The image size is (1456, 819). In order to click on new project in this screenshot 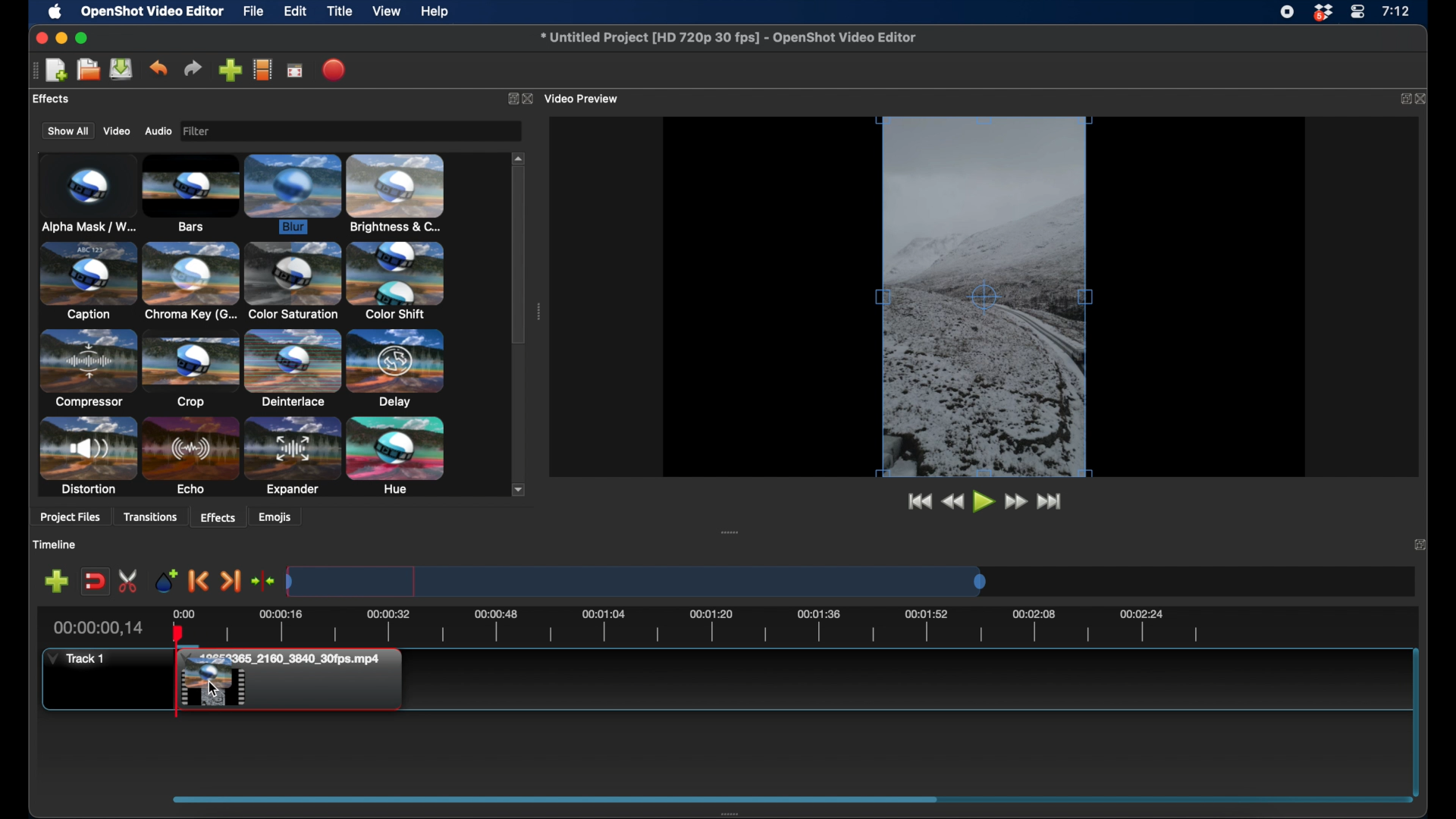, I will do `click(56, 71)`.